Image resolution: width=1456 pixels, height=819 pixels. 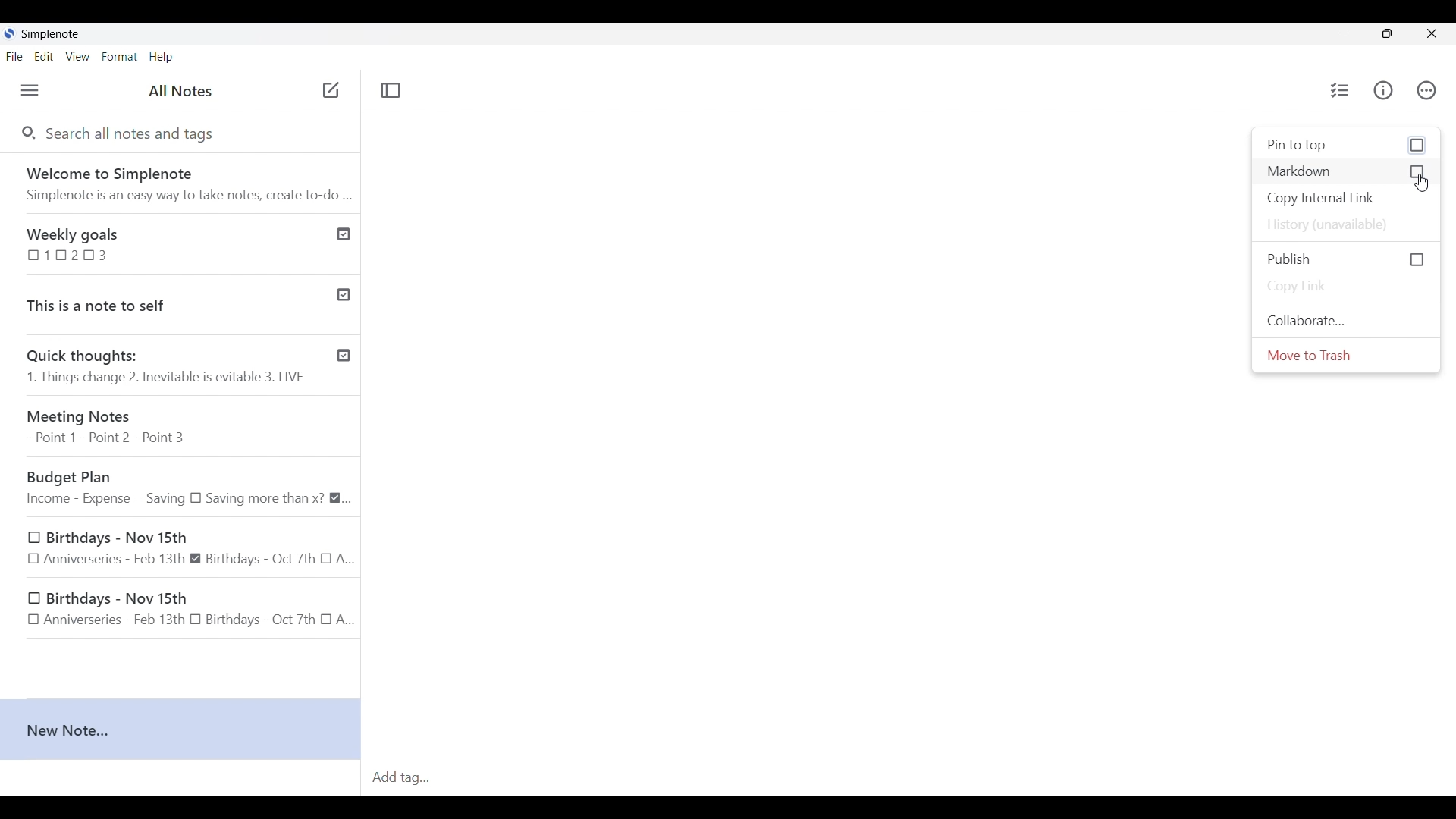 What do you see at coordinates (186, 428) in the screenshot?
I see `Meeting Notes - Point 1 - Point 2 - Point 3` at bounding box center [186, 428].